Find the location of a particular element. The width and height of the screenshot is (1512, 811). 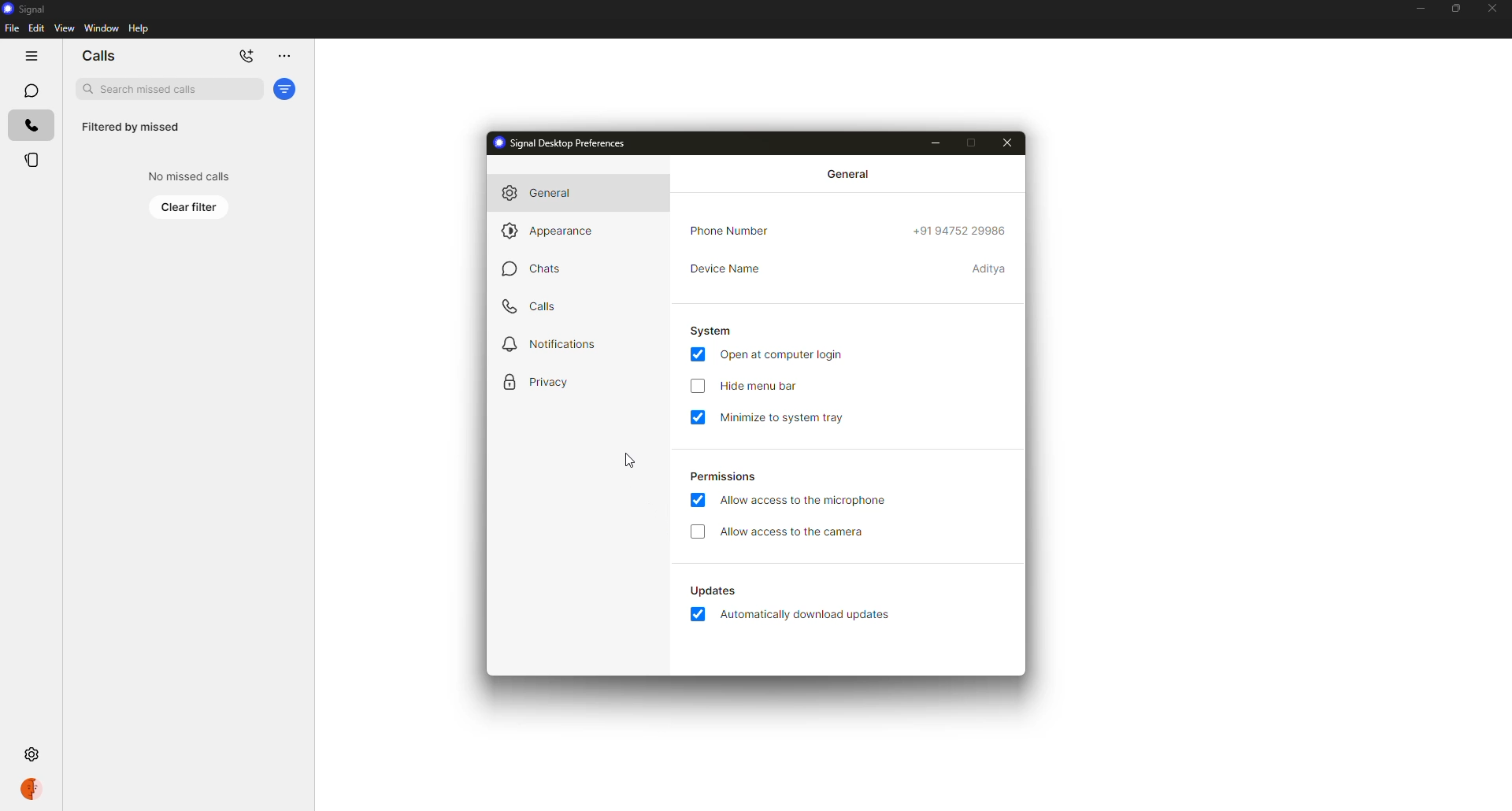

close is located at coordinates (1008, 143).